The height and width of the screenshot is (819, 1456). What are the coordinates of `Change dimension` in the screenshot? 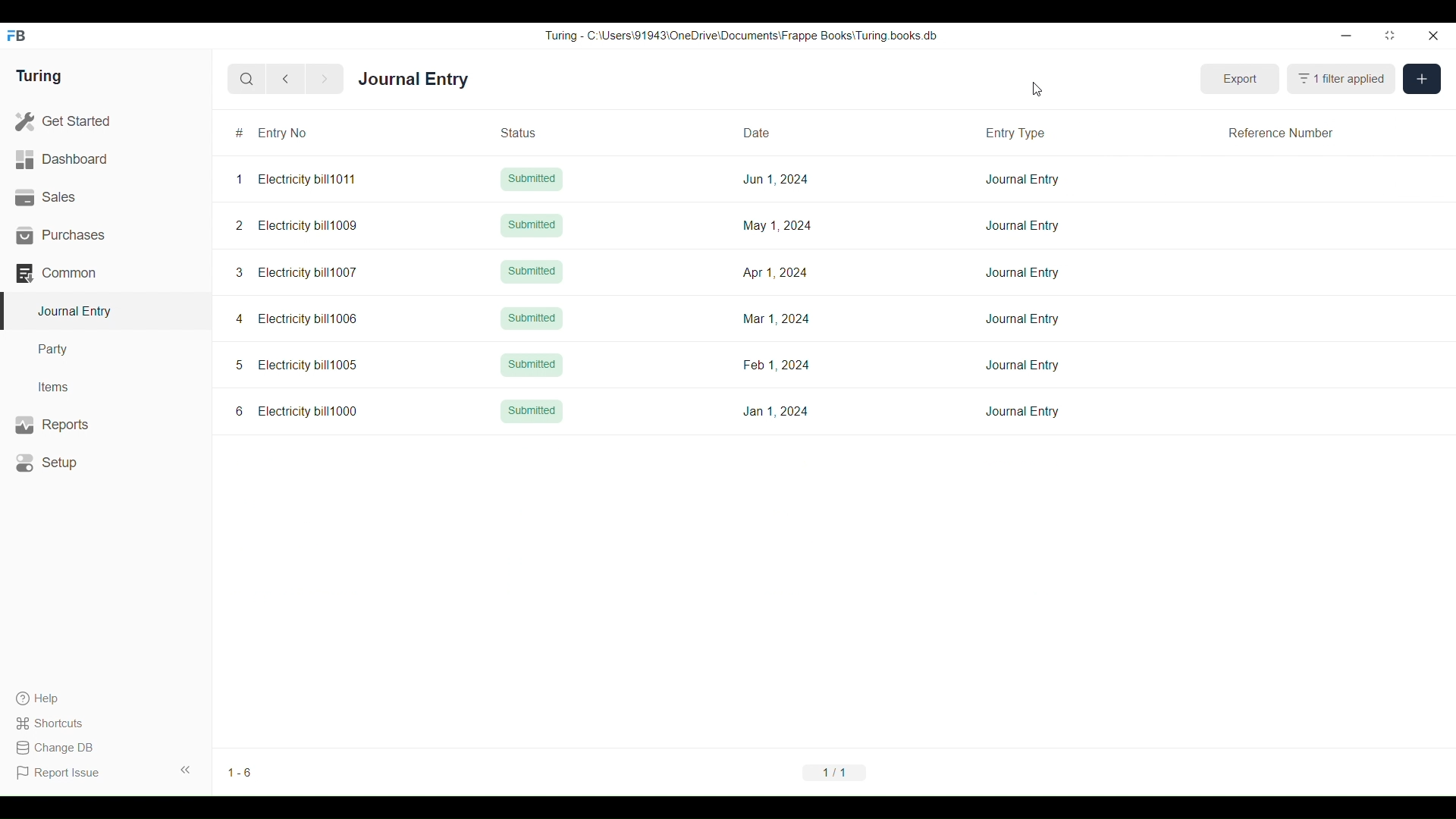 It's located at (1390, 35).